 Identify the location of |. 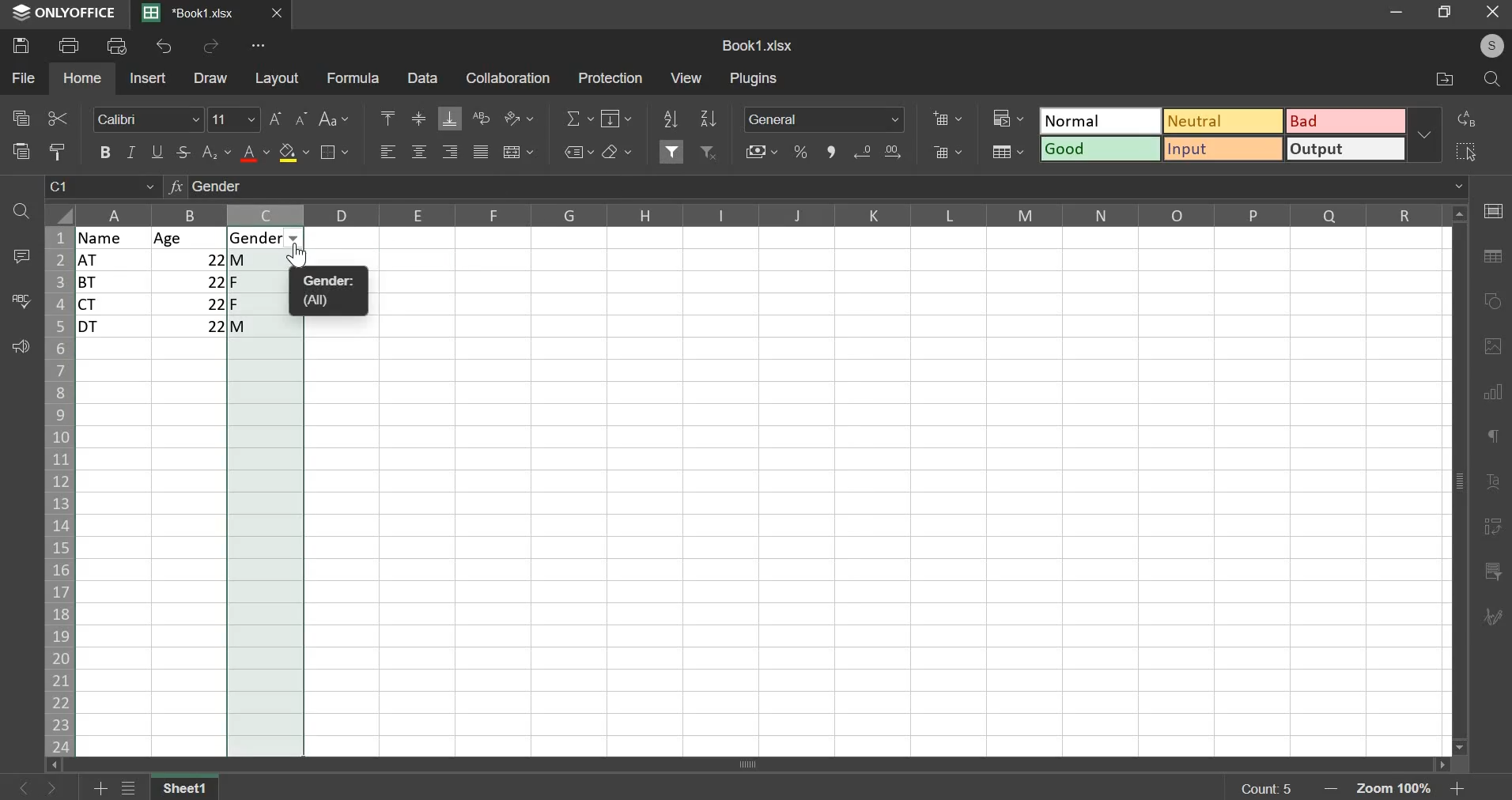
(192, 326).